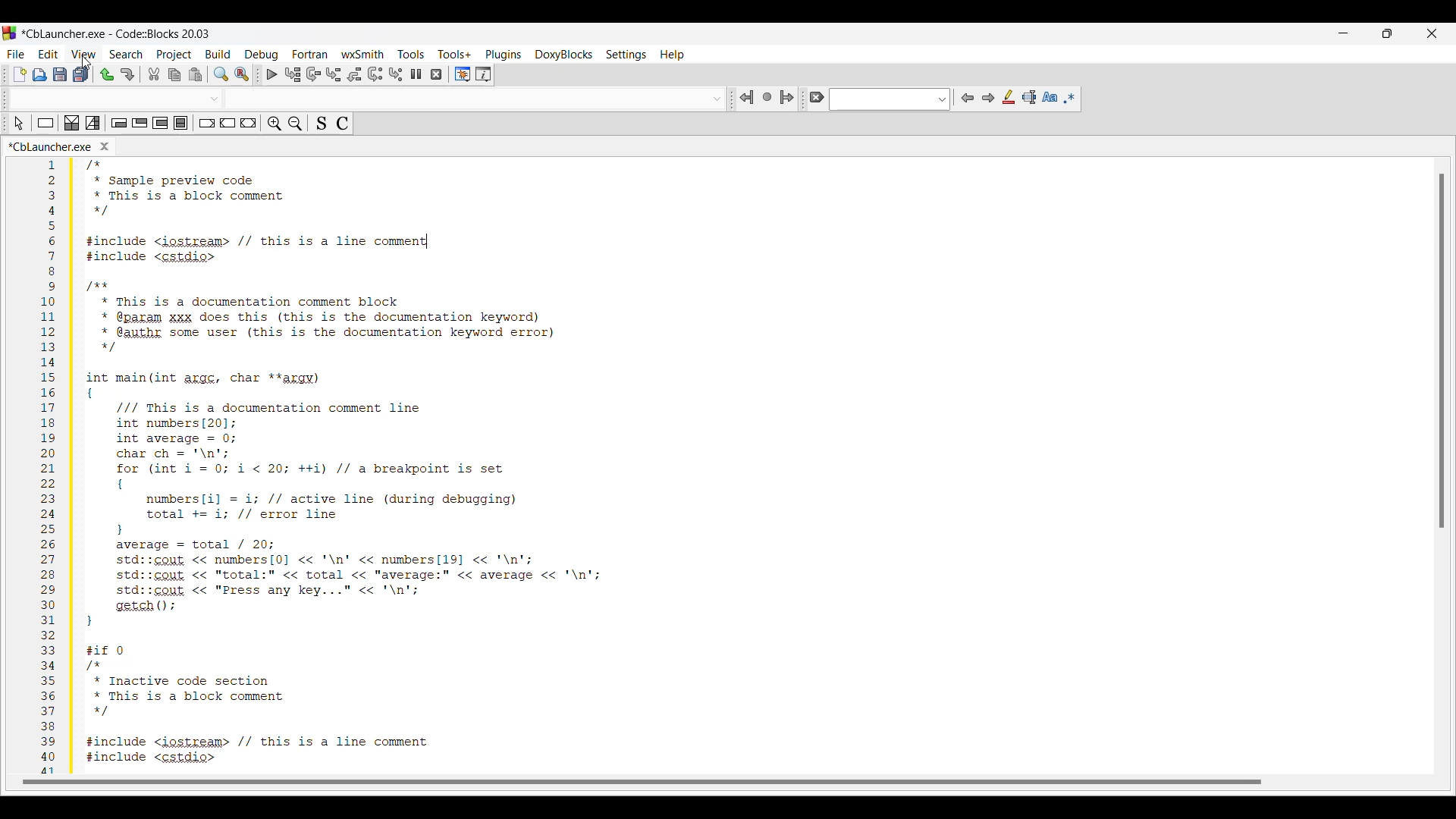  I want to click on Continue instruction, so click(228, 123).